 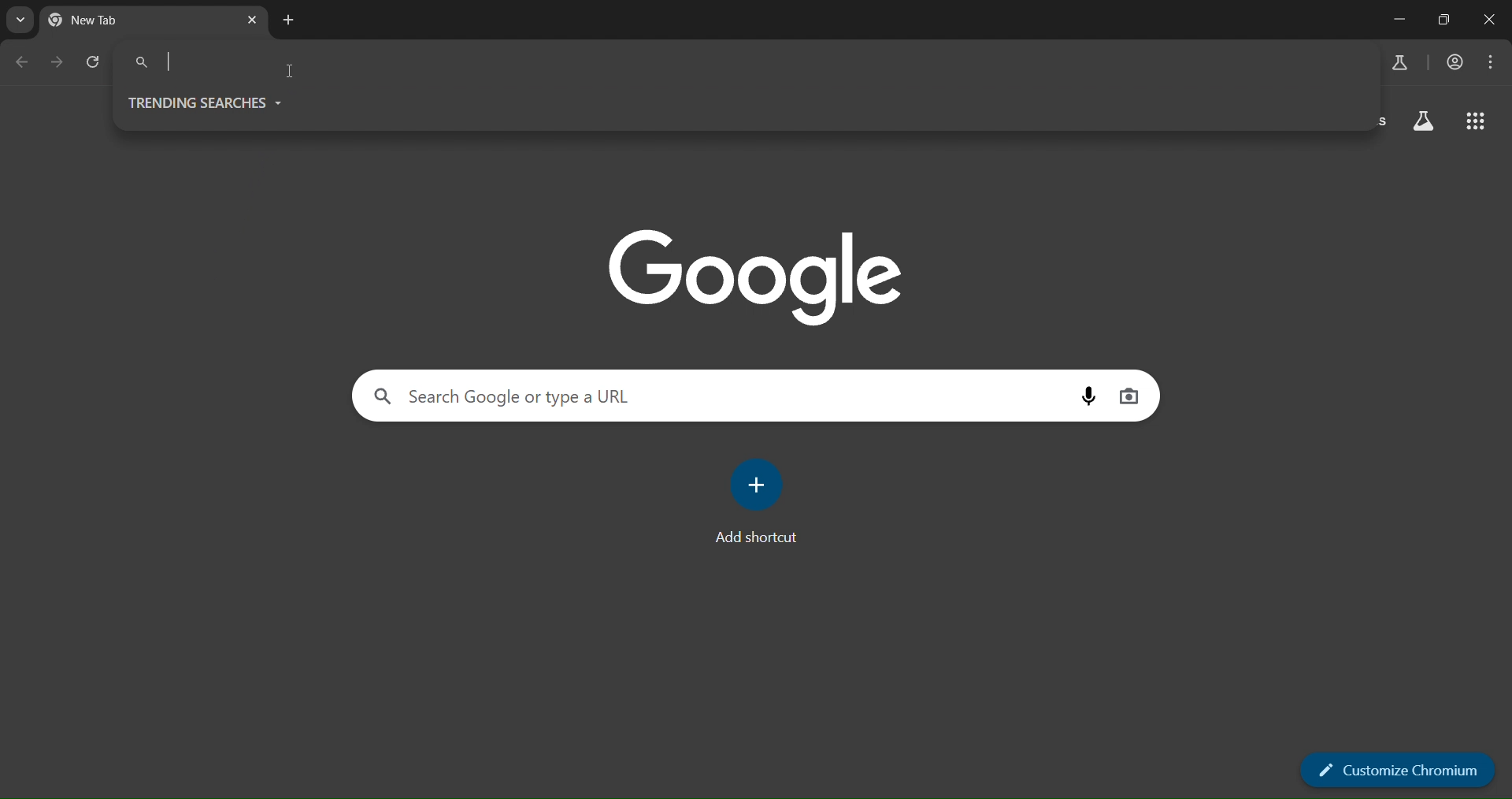 I want to click on restore down, so click(x=1443, y=20).